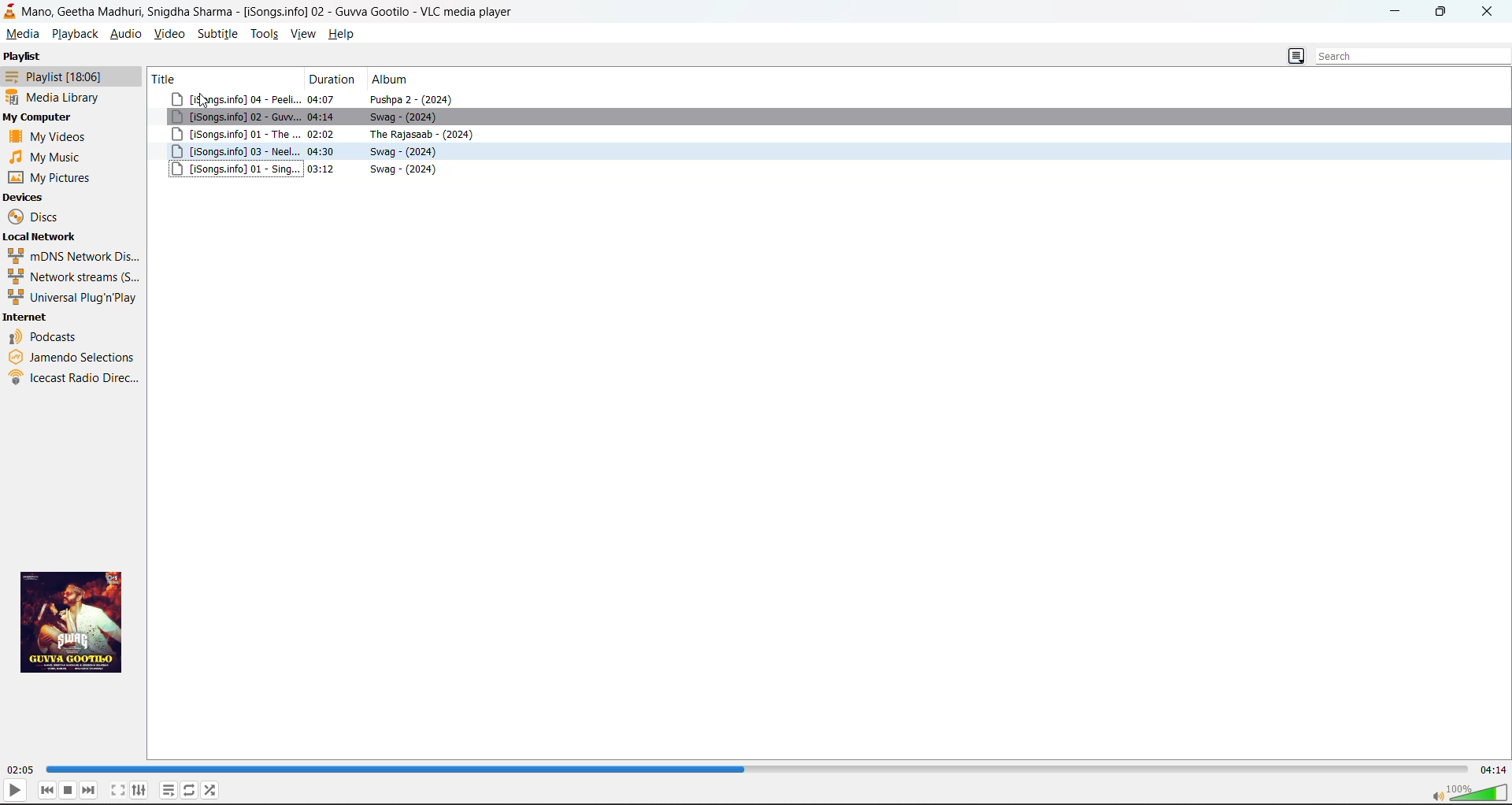 The width and height of the screenshot is (1512, 805). Describe the element at coordinates (1399, 12) in the screenshot. I see `minimize` at that location.